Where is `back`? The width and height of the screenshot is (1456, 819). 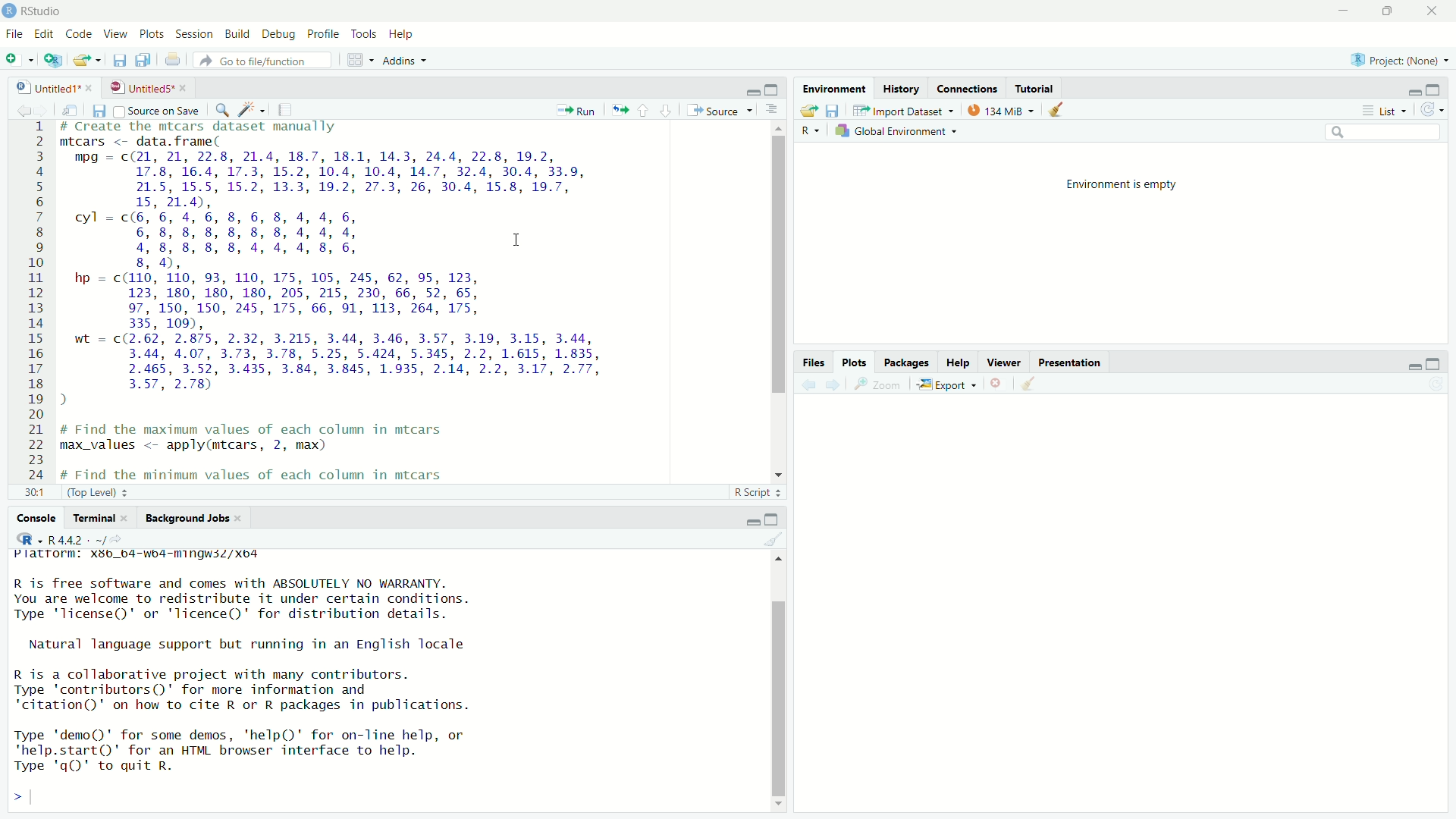
back is located at coordinates (23, 108).